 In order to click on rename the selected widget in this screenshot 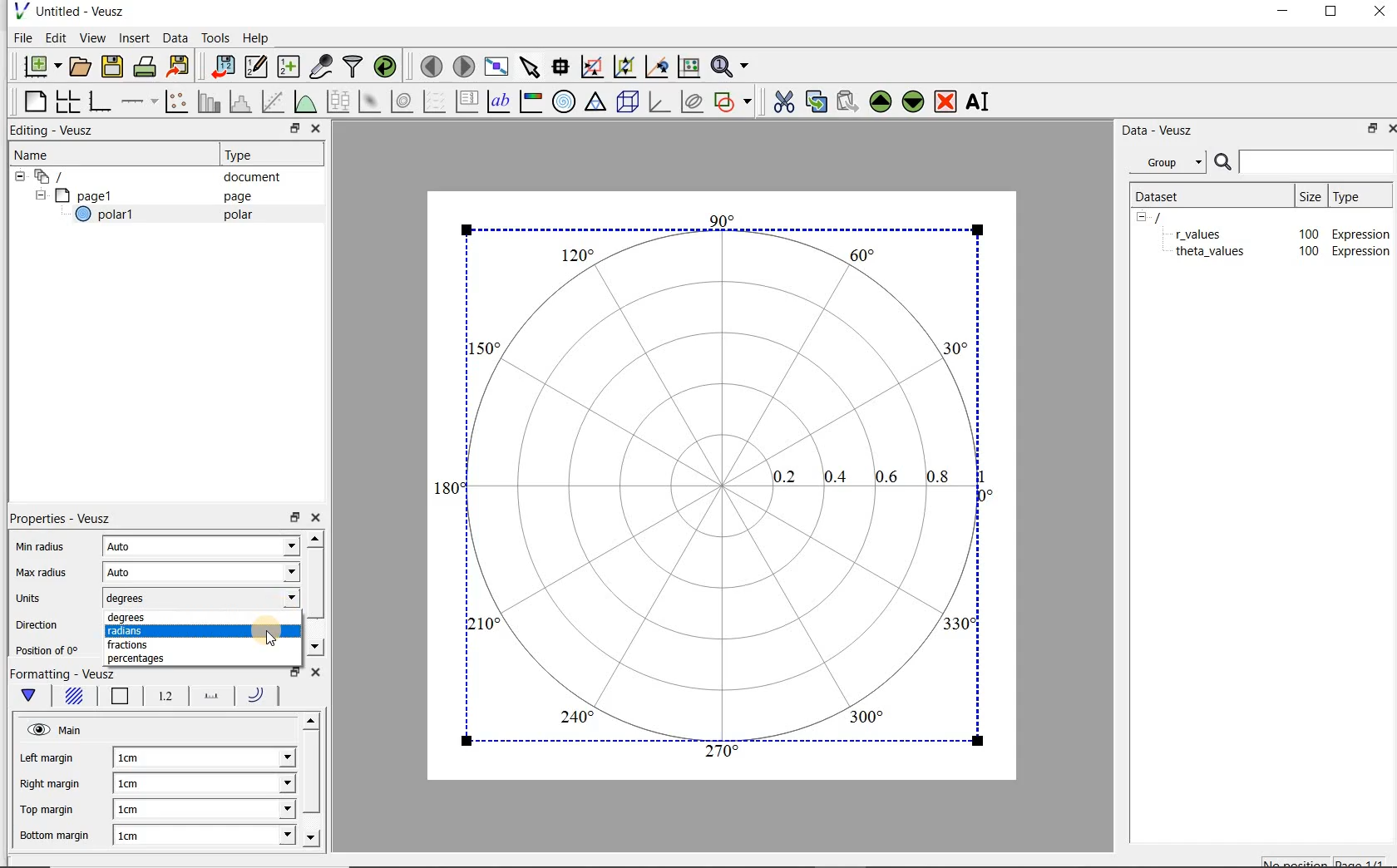, I will do `click(981, 101)`.